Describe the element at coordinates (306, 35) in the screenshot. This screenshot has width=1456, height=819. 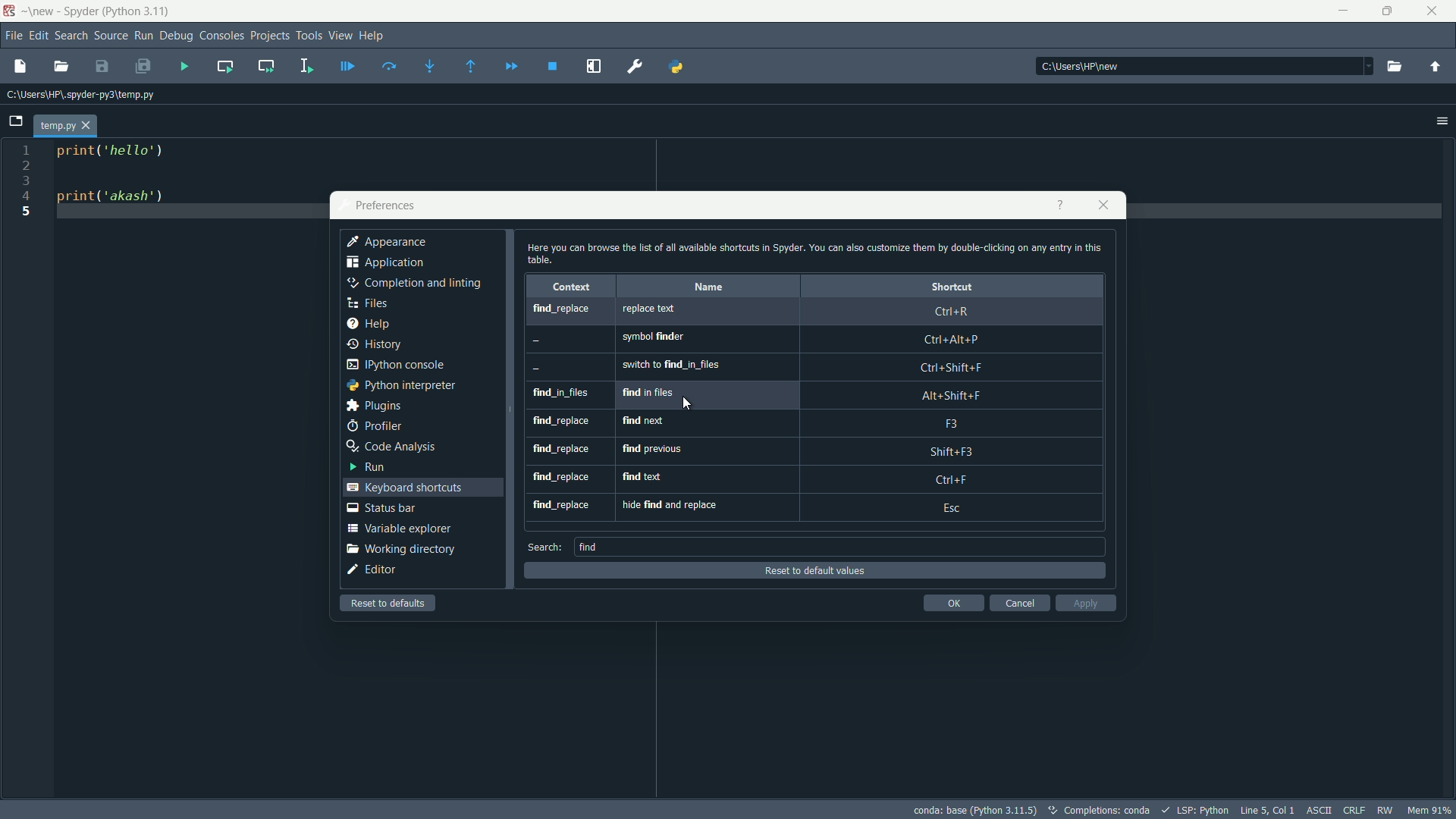
I see `tools menu` at that location.